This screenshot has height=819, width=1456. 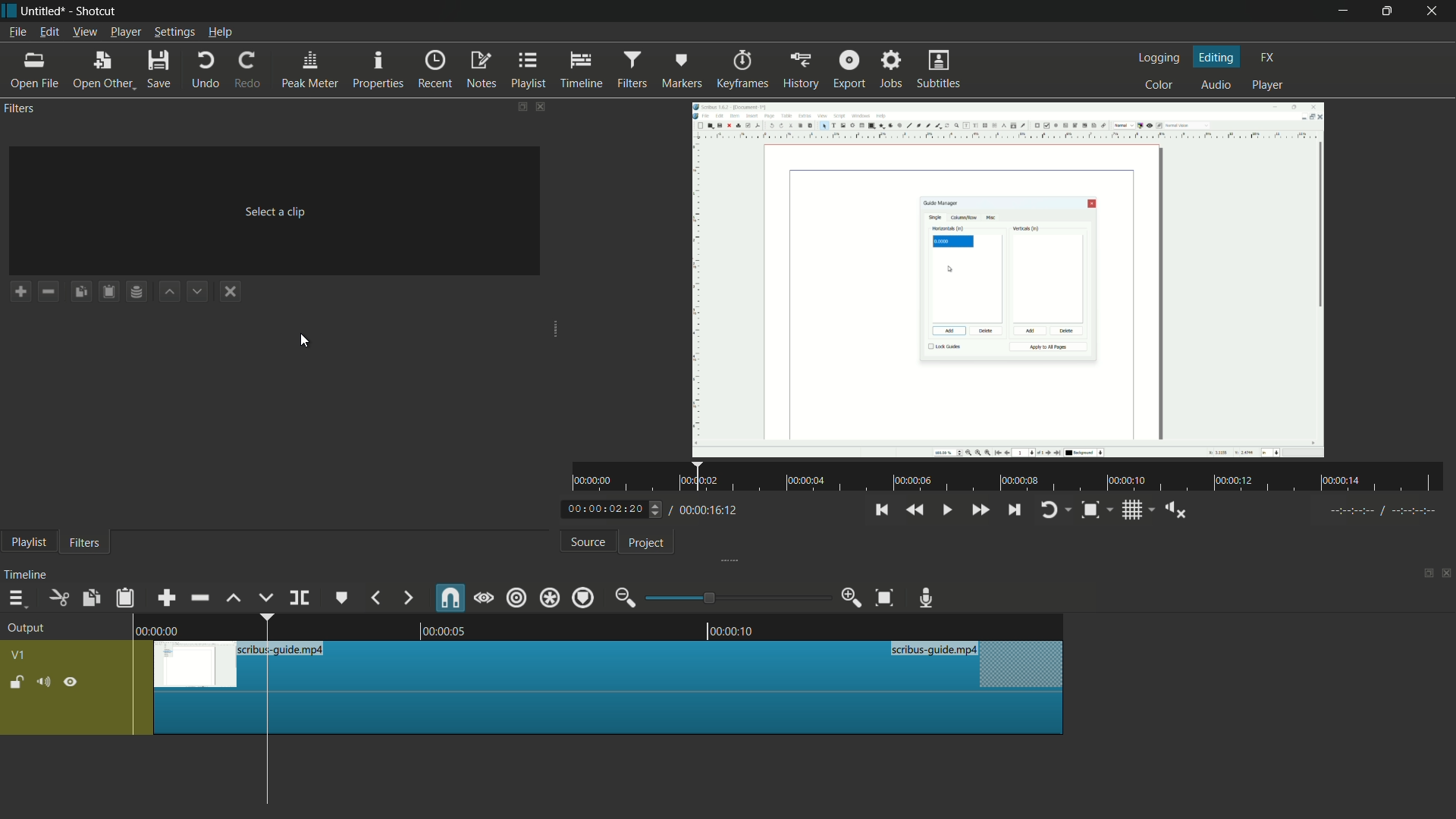 What do you see at coordinates (209, 69) in the screenshot?
I see `undo` at bounding box center [209, 69].